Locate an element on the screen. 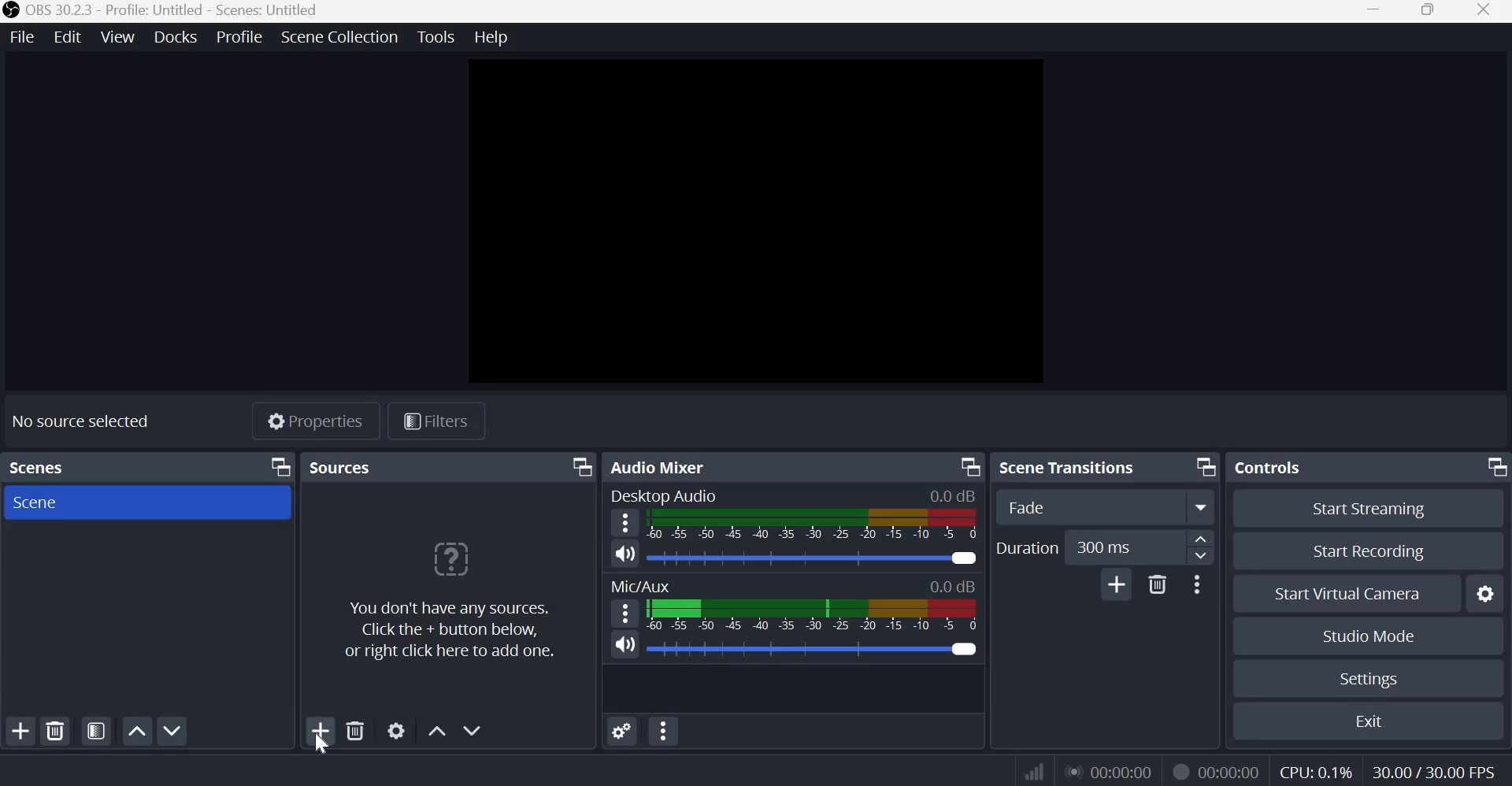 Image resolution: width=1512 pixels, height=786 pixels. Connection Status Indicator is located at coordinates (1036, 769).